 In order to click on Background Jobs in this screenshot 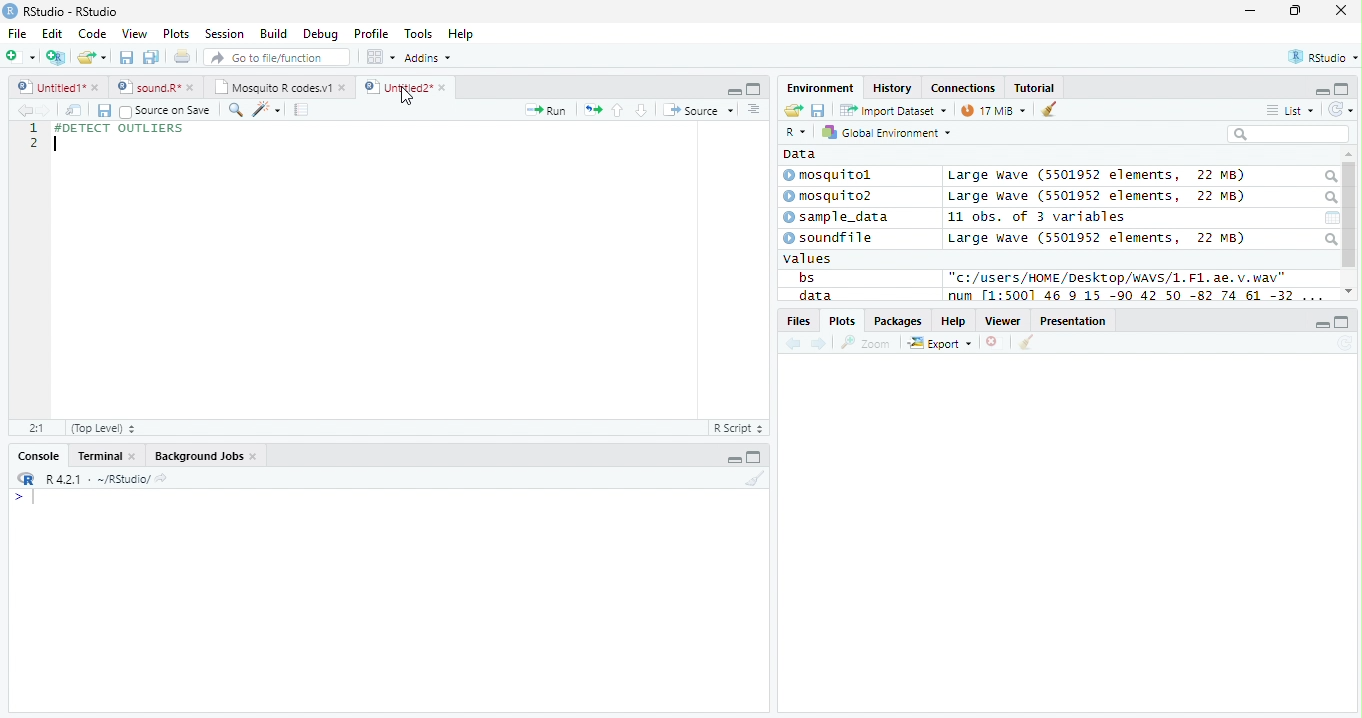, I will do `click(204, 456)`.